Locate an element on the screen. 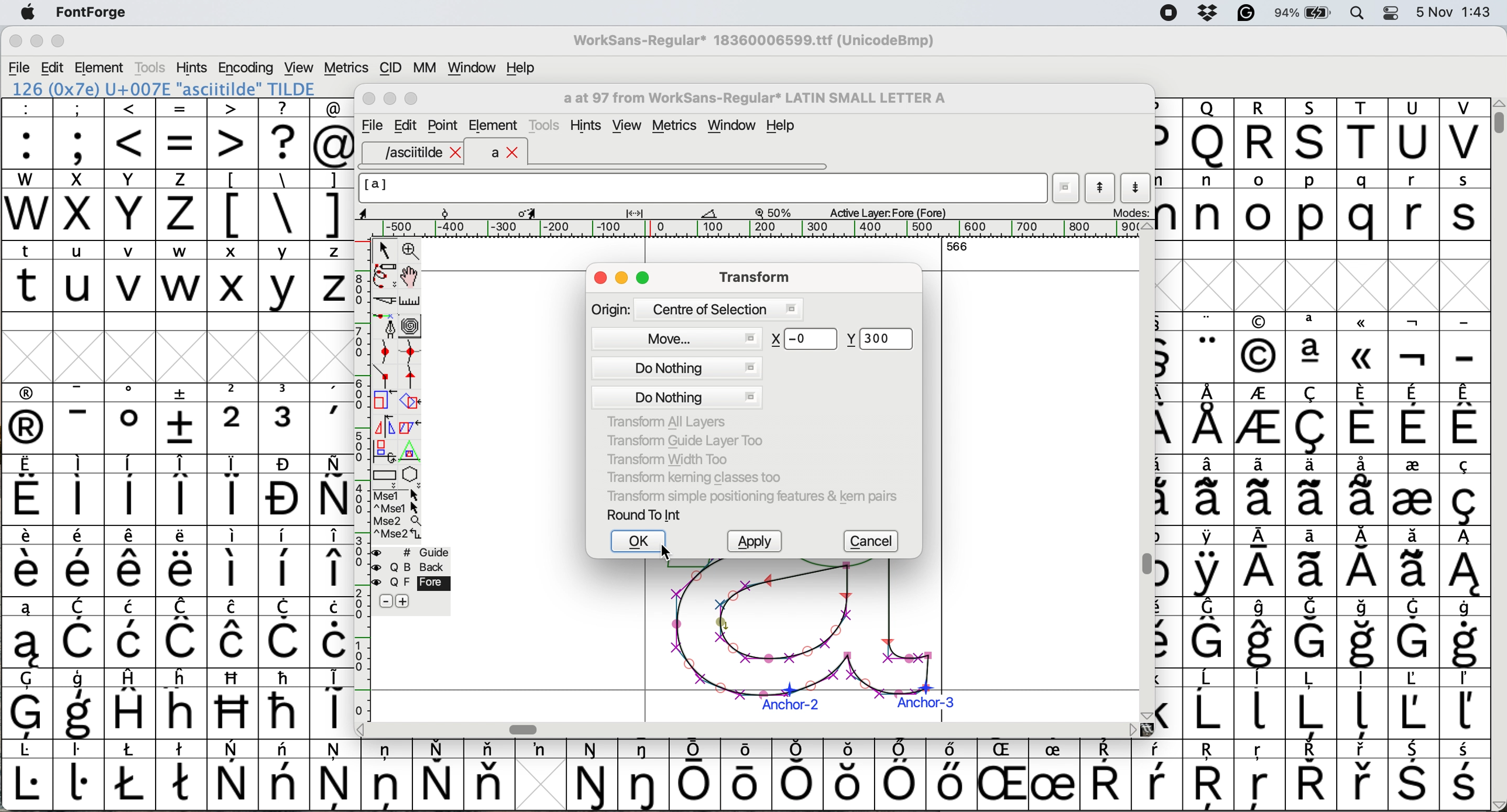  cid is located at coordinates (389, 68).